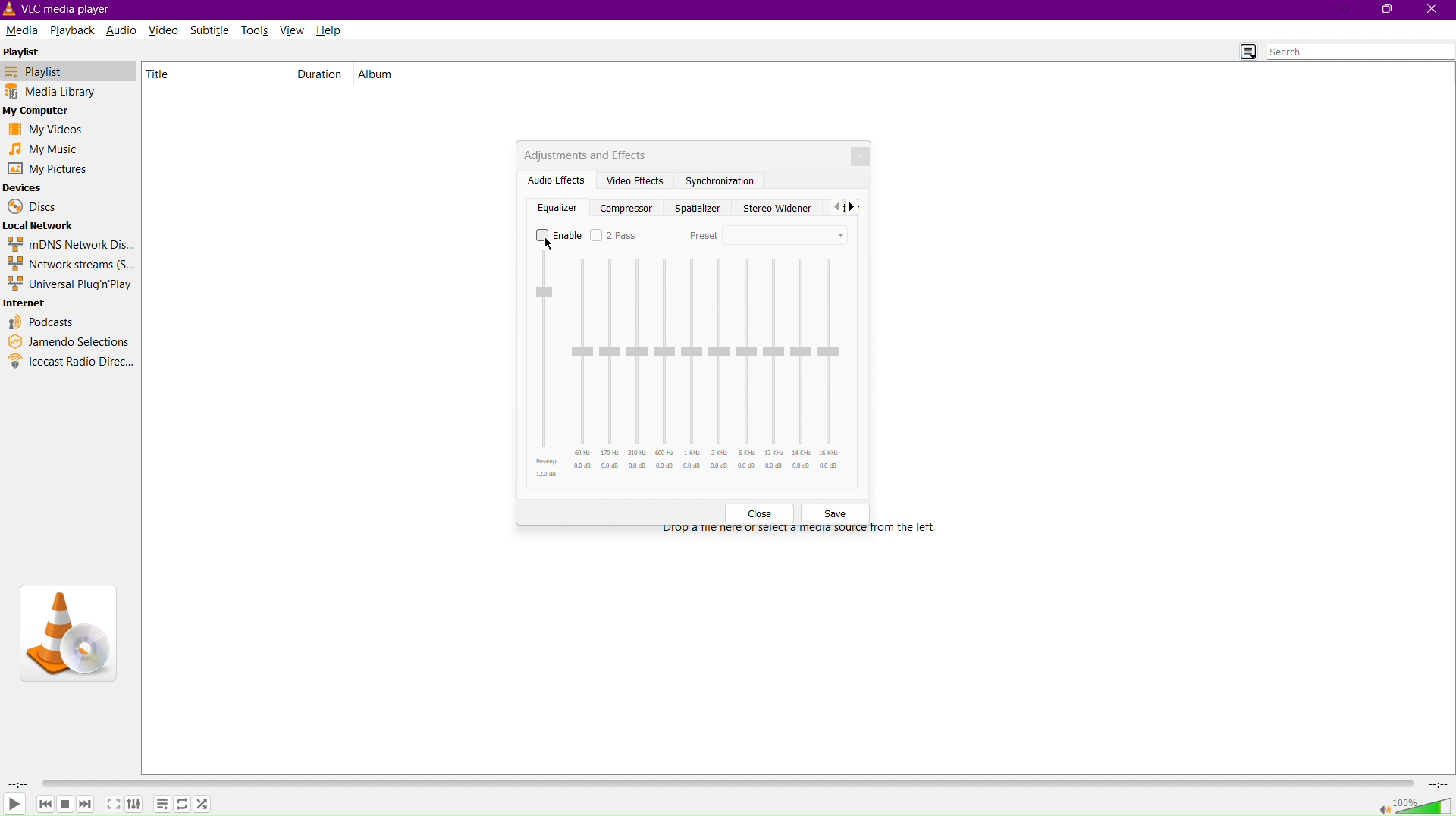  Describe the element at coordinates (558, 180) in the screenshot. I see `Audio Effects` at that location.